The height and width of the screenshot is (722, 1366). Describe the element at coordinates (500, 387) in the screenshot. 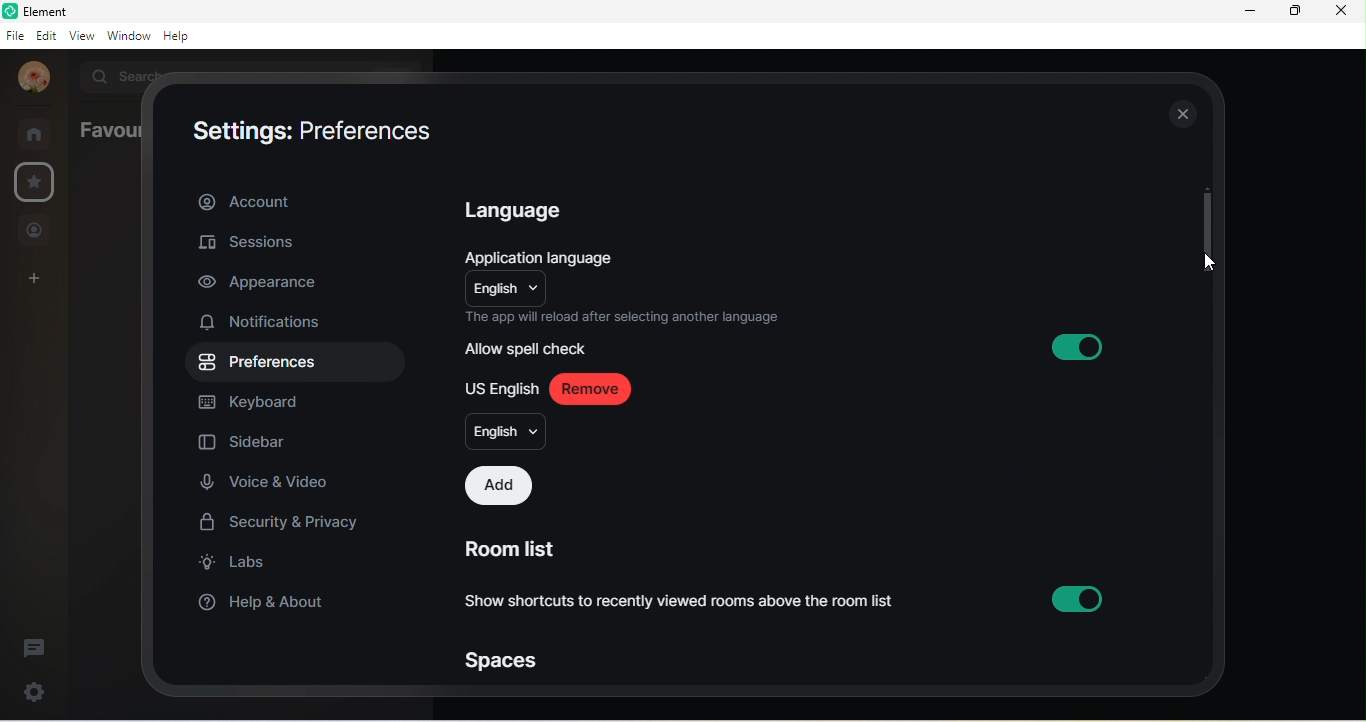

I see `us english` at that location.